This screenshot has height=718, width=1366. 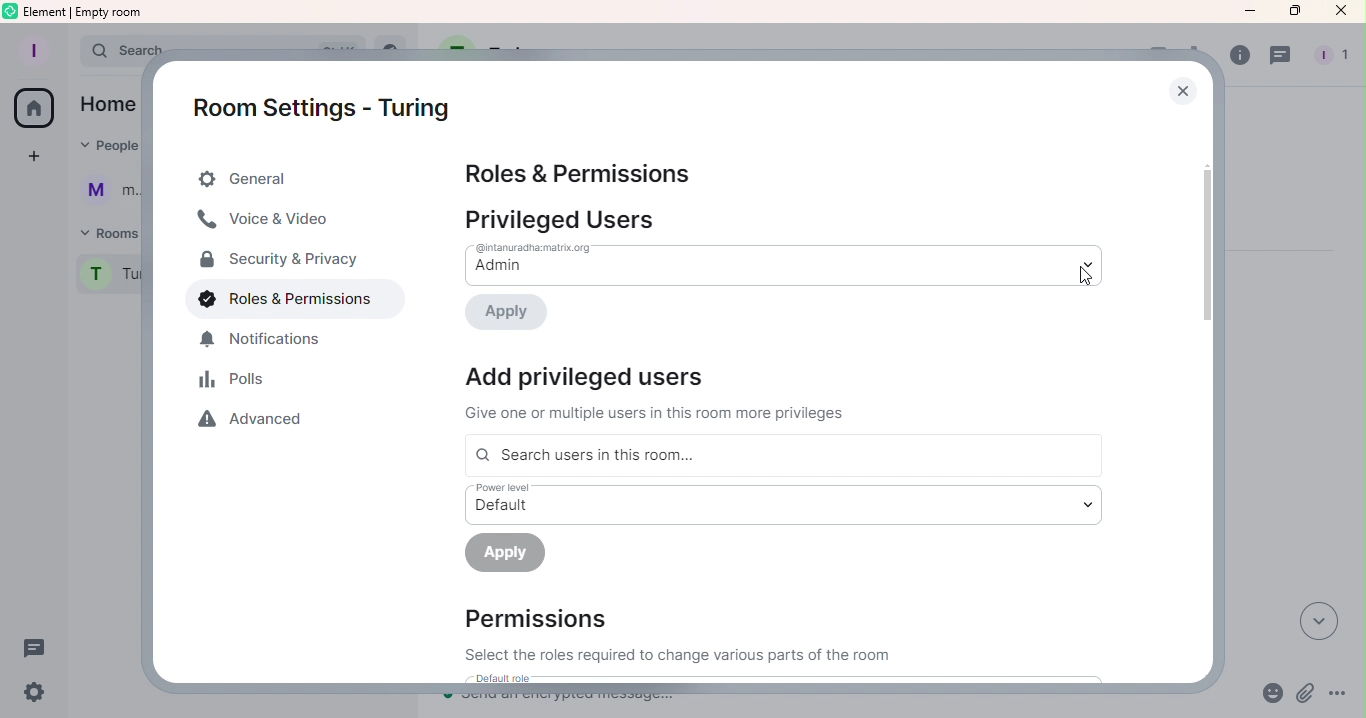 What do you see at coordinates (40, 108) in the screenshot?
I see `Home` at bounding box center [40, 108].